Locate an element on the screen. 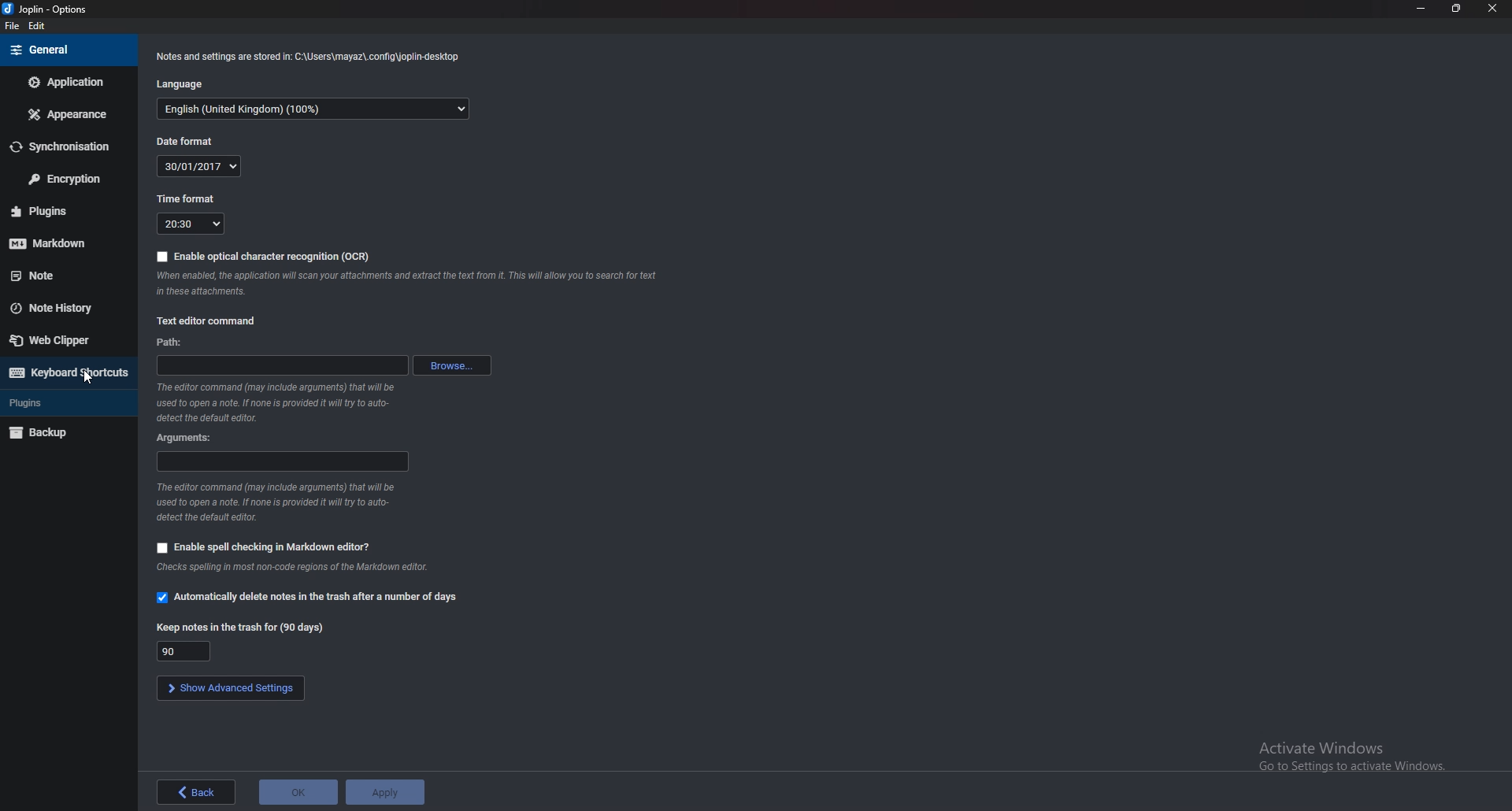 The width and height of the screenshot is (1512, 811). resize is located at coordinates (1456, 8).